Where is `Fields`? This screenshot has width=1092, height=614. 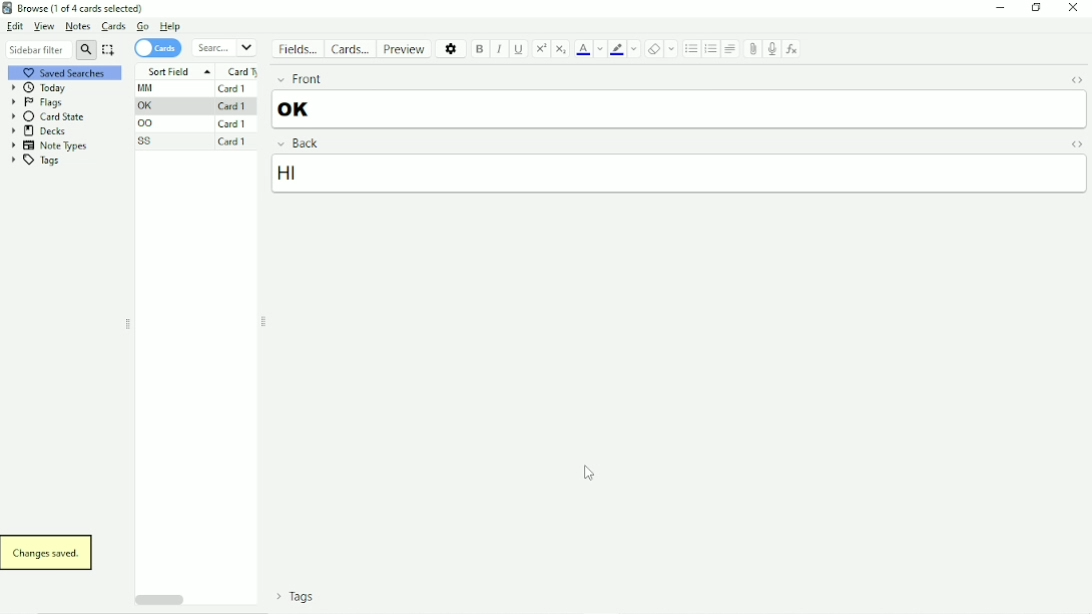
Fields is located at coordinates (299, 52).